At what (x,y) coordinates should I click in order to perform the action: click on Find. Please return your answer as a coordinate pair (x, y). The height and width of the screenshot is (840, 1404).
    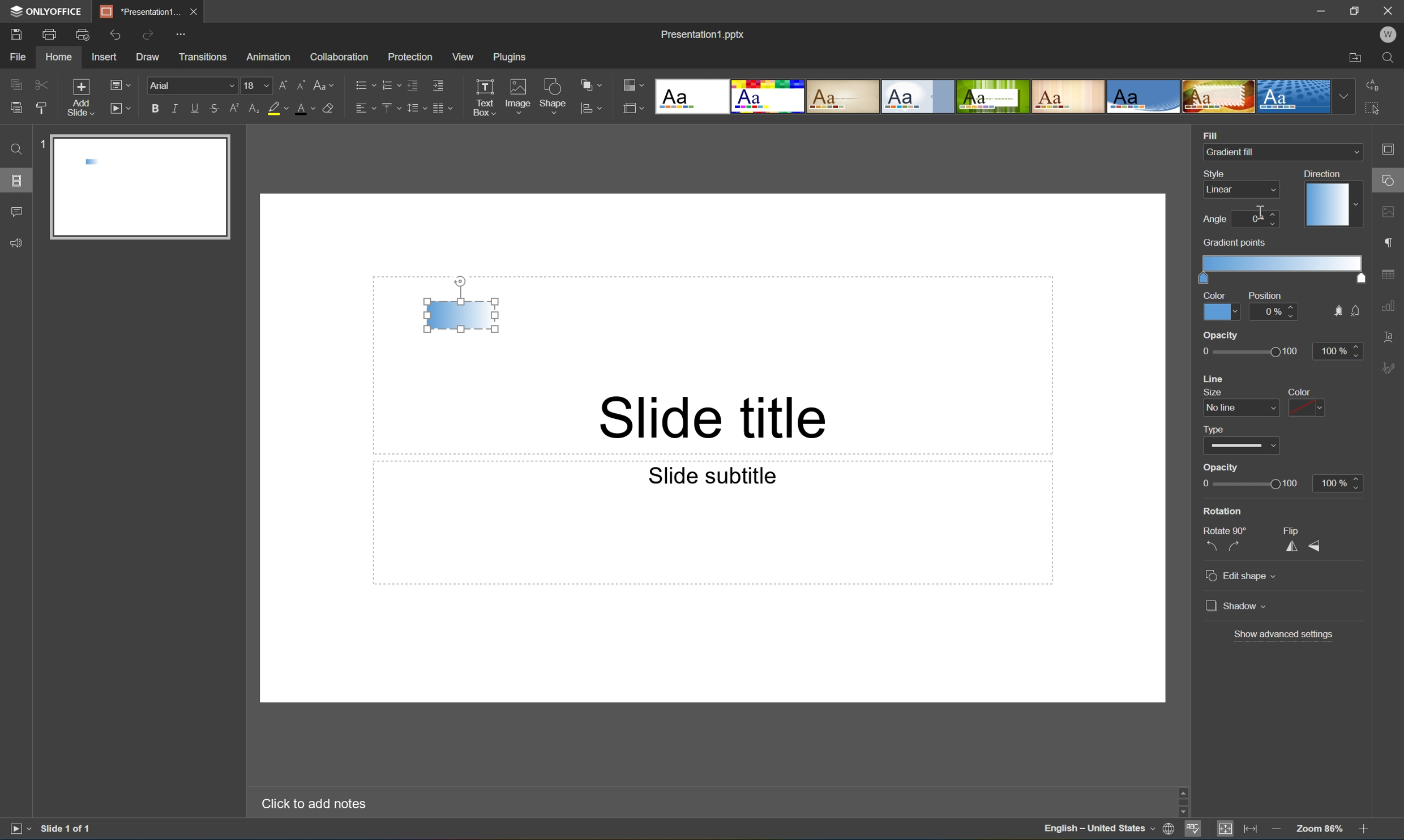
    Looking at the image, I should click on (14, 149).